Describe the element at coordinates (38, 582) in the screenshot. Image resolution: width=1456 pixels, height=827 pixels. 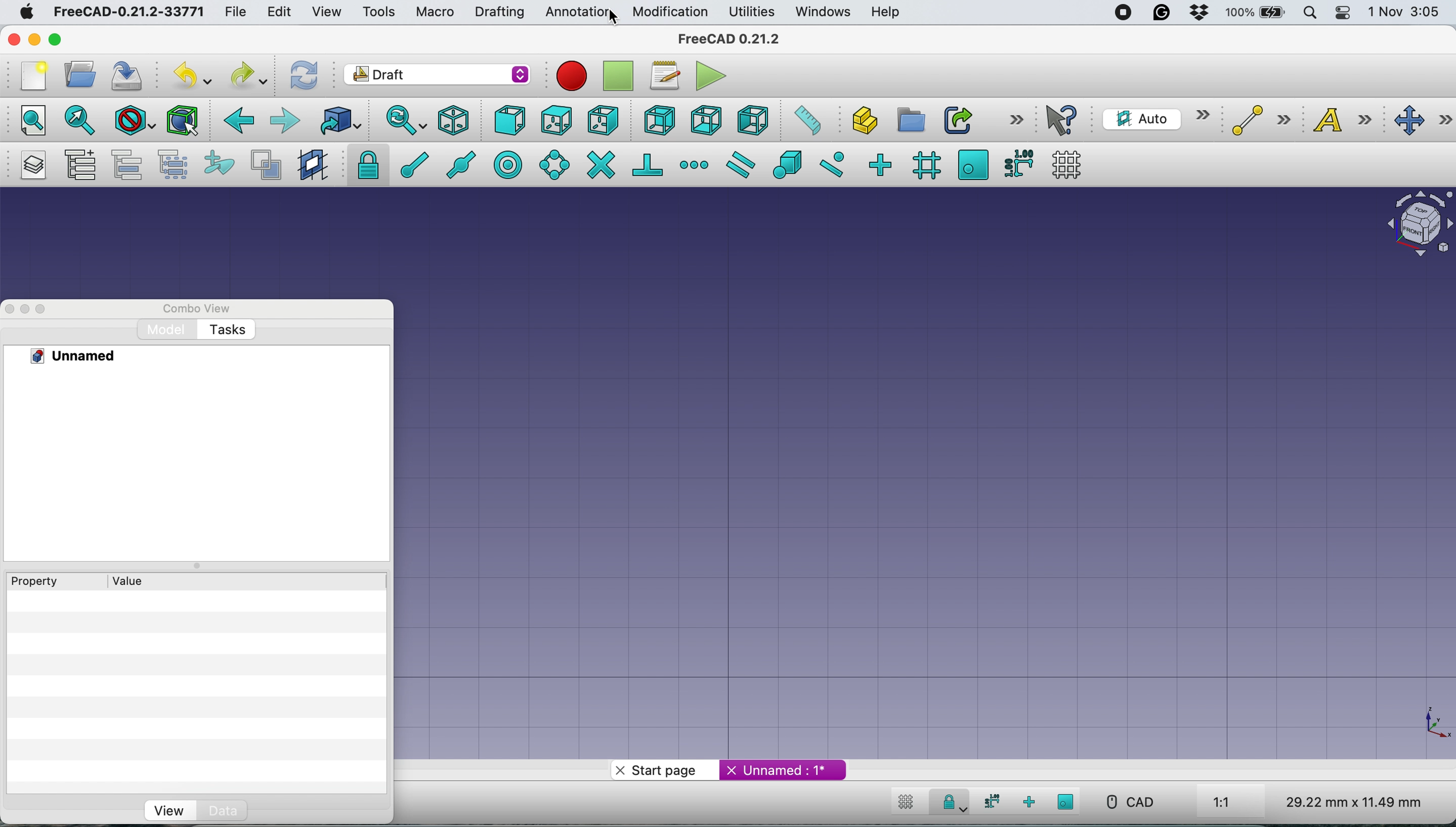
I see `property` at that location.